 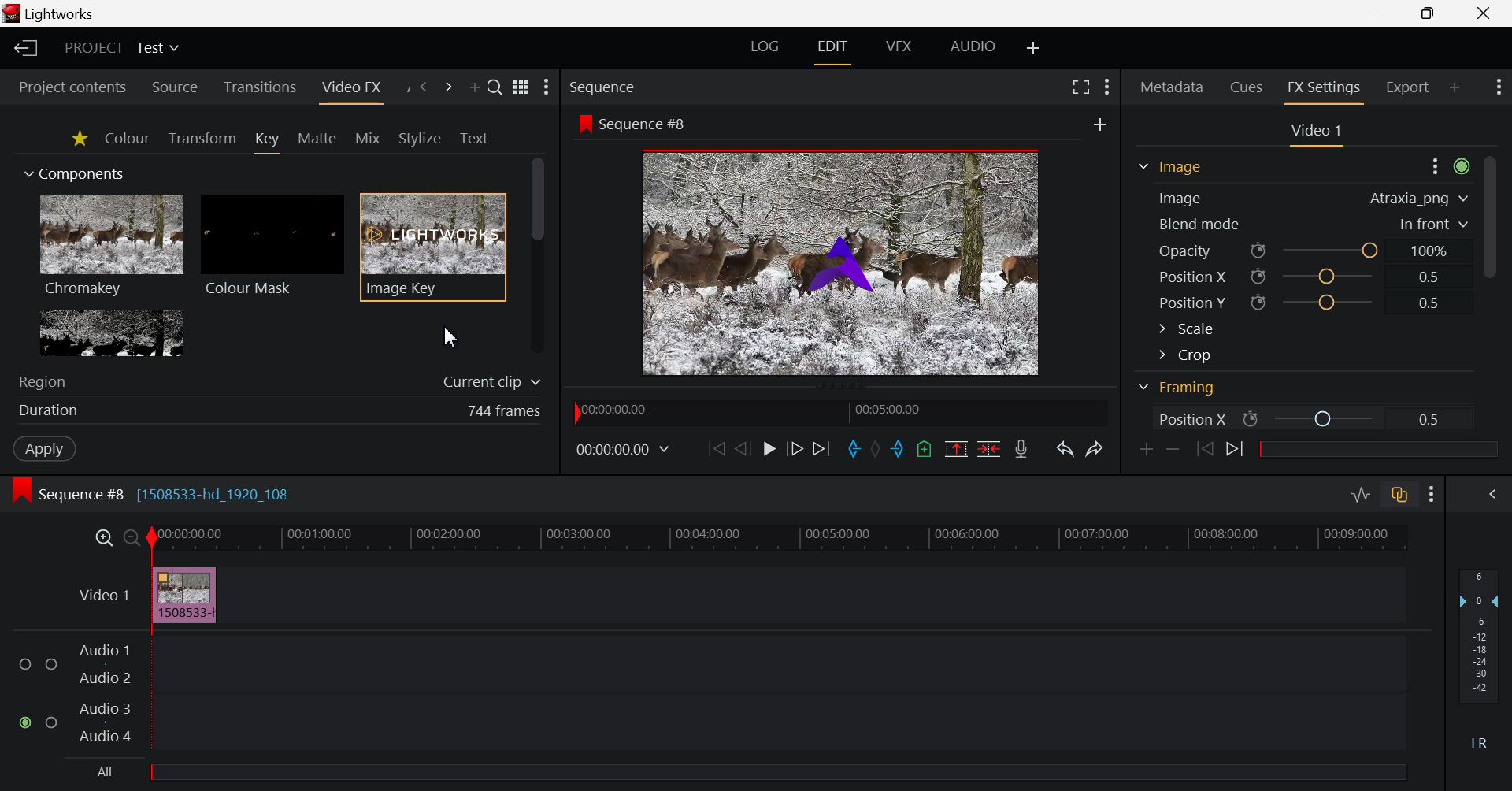 What do you see at coordinates (1432, 303) in the screenshot?
I see `0.5` at bounding box center [1432, 303].